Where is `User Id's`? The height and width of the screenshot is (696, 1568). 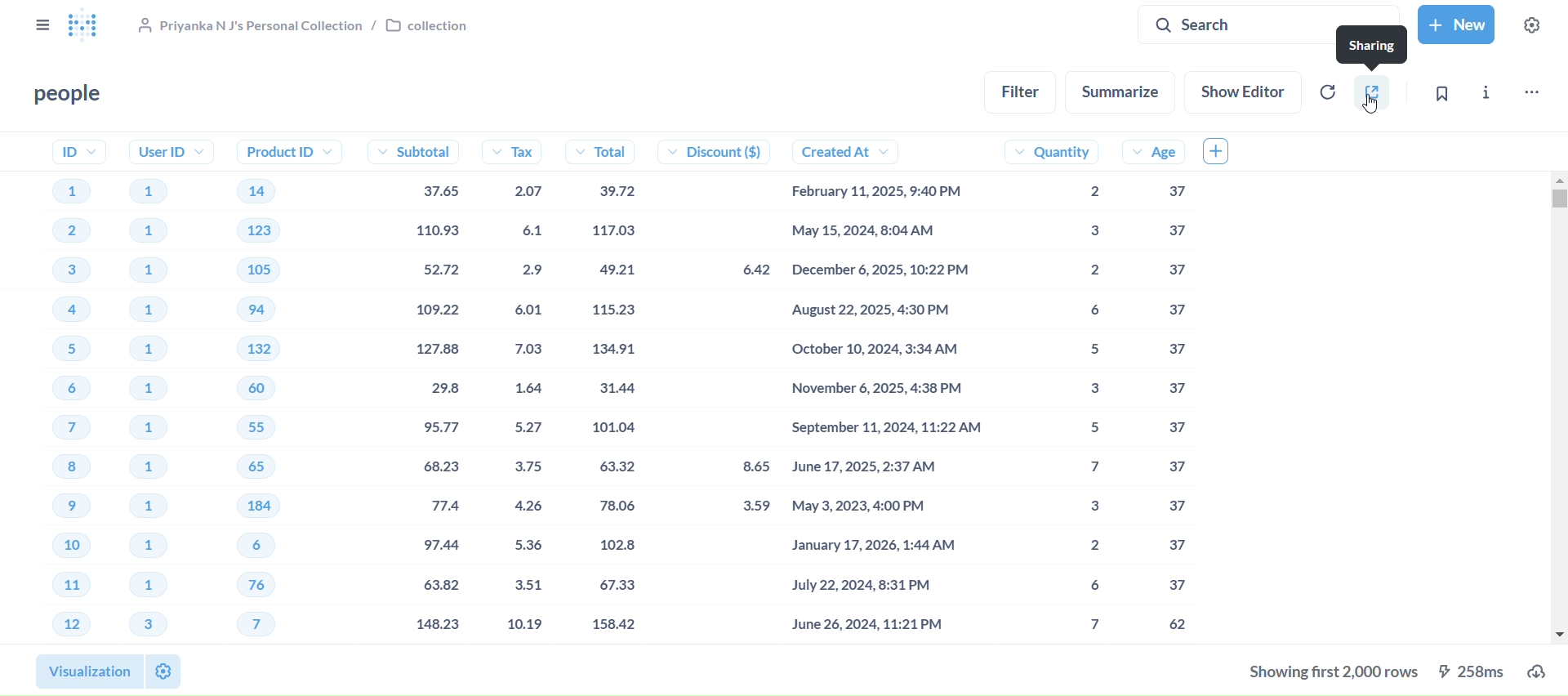 User Id's is located at coordinates (165, 390).